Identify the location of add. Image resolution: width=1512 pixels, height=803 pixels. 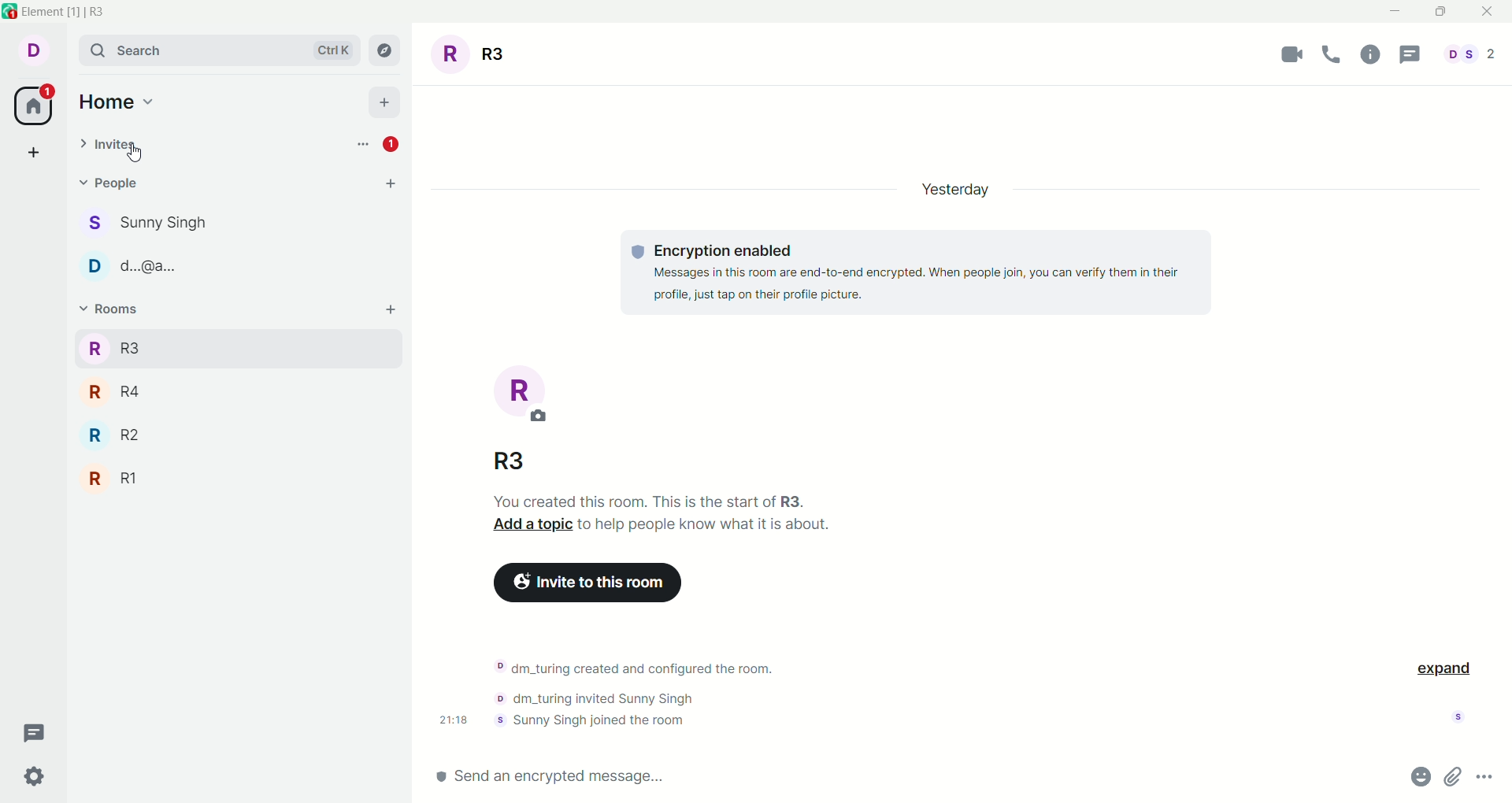
(384, 102).